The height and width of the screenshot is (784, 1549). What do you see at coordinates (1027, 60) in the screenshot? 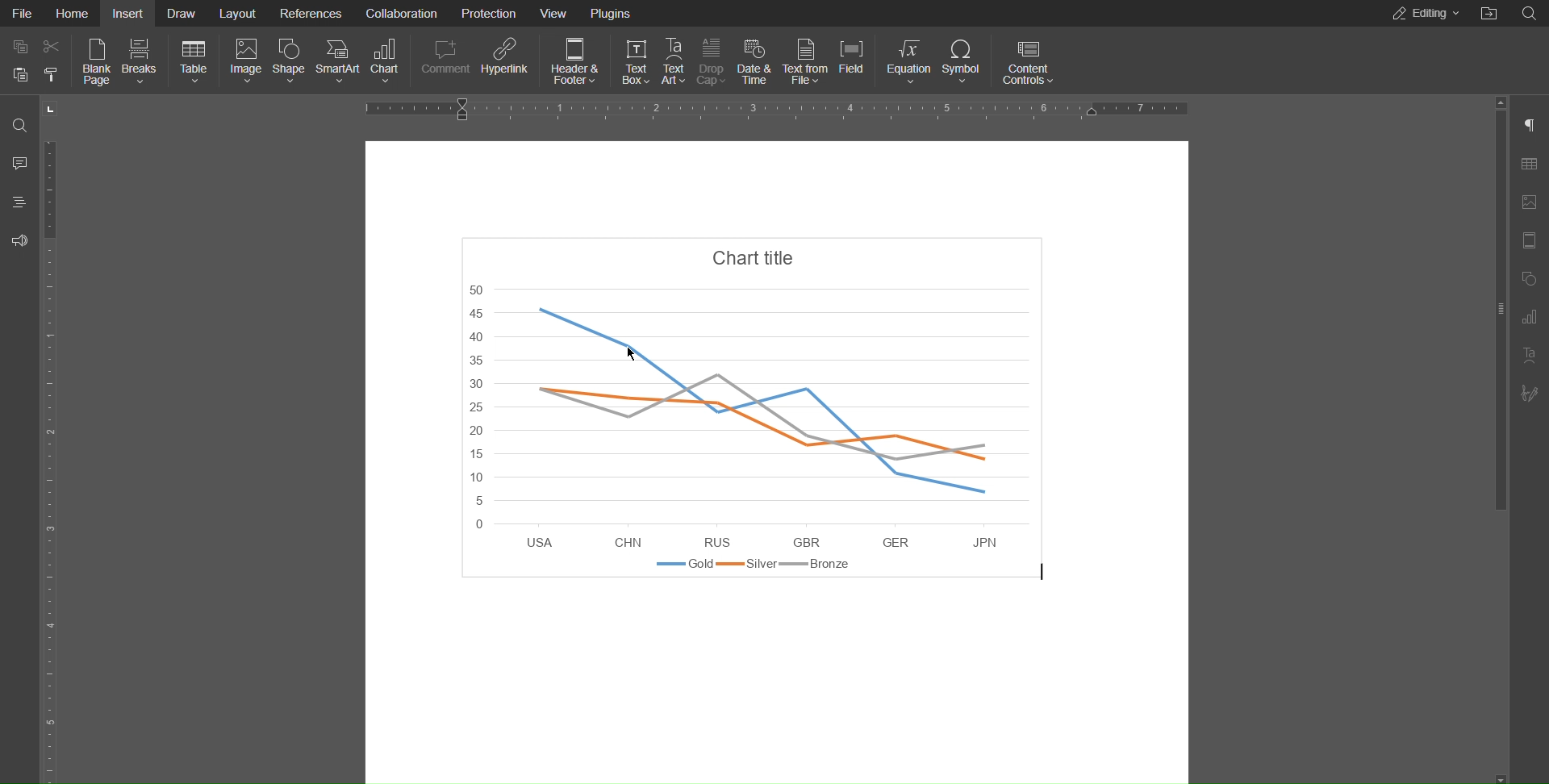
I see `Content Controls` at bounding box center [1027, 60].